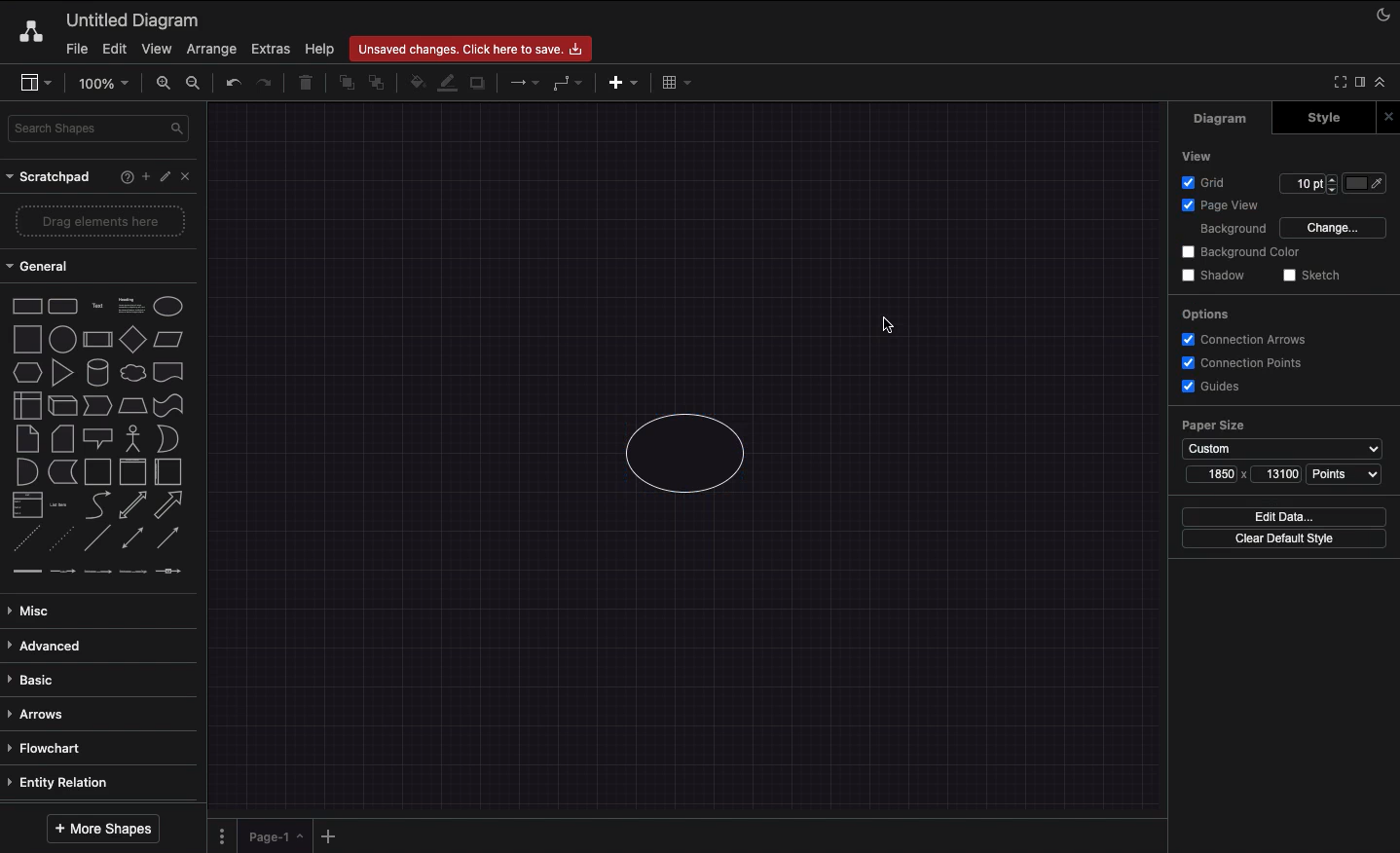  Describe the element at coordinates (62, 438) in the screenshot. I see `Card` at that location.